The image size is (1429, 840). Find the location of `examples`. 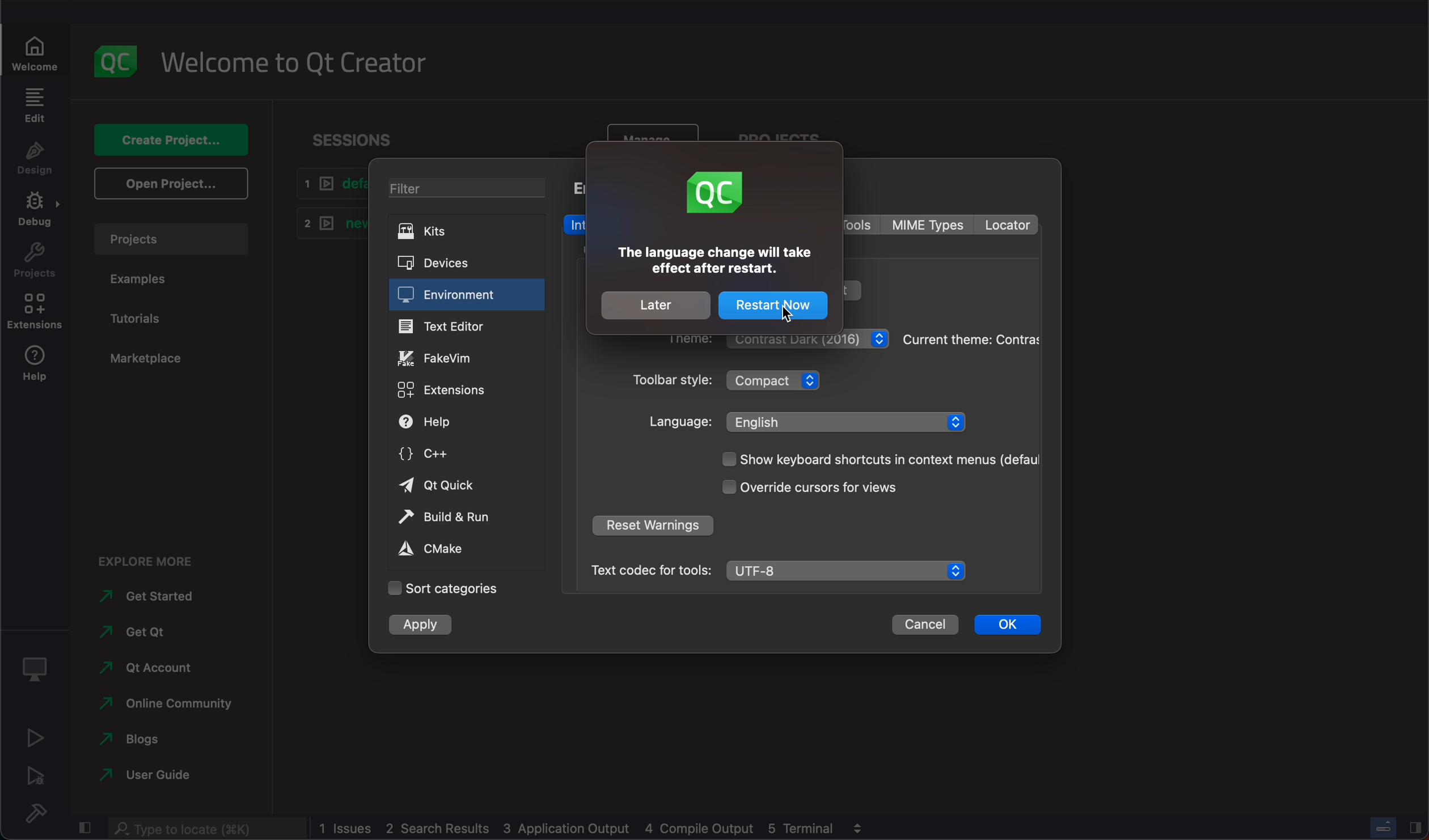

examples is located at coordinates (146, 278).